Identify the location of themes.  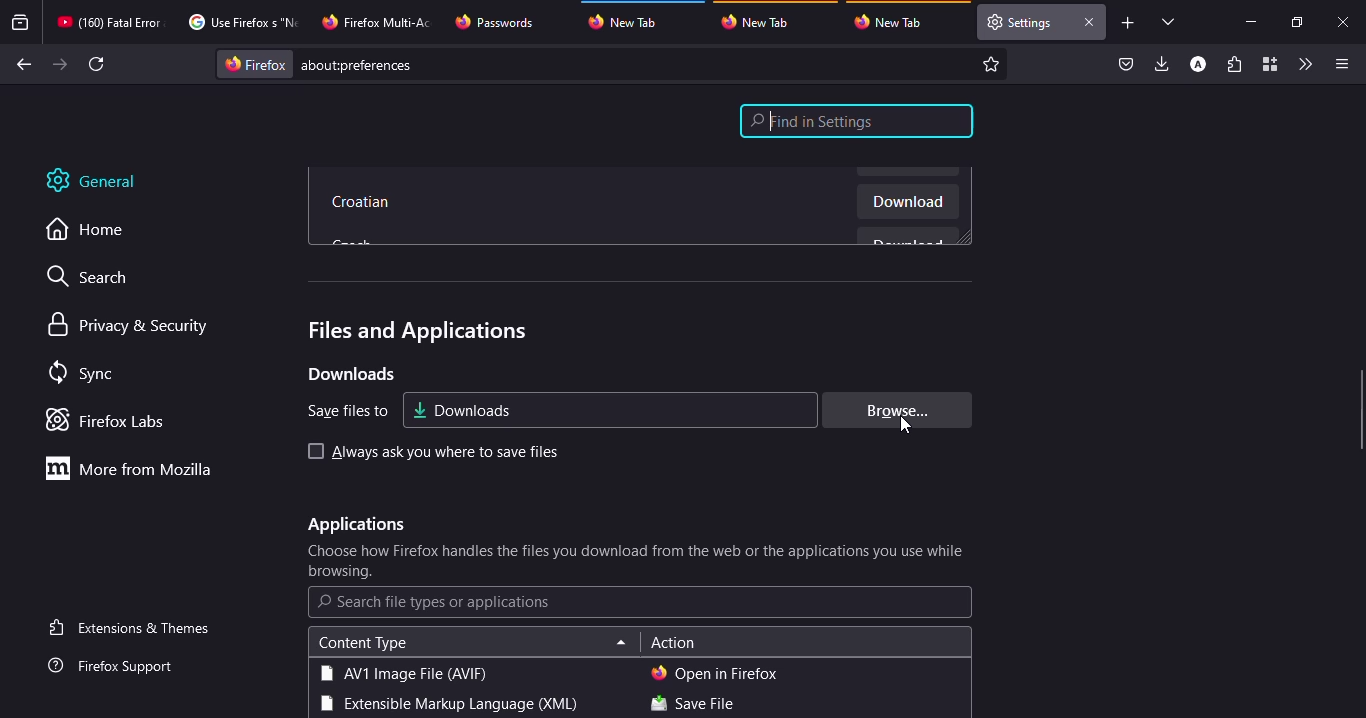
(133, 627).